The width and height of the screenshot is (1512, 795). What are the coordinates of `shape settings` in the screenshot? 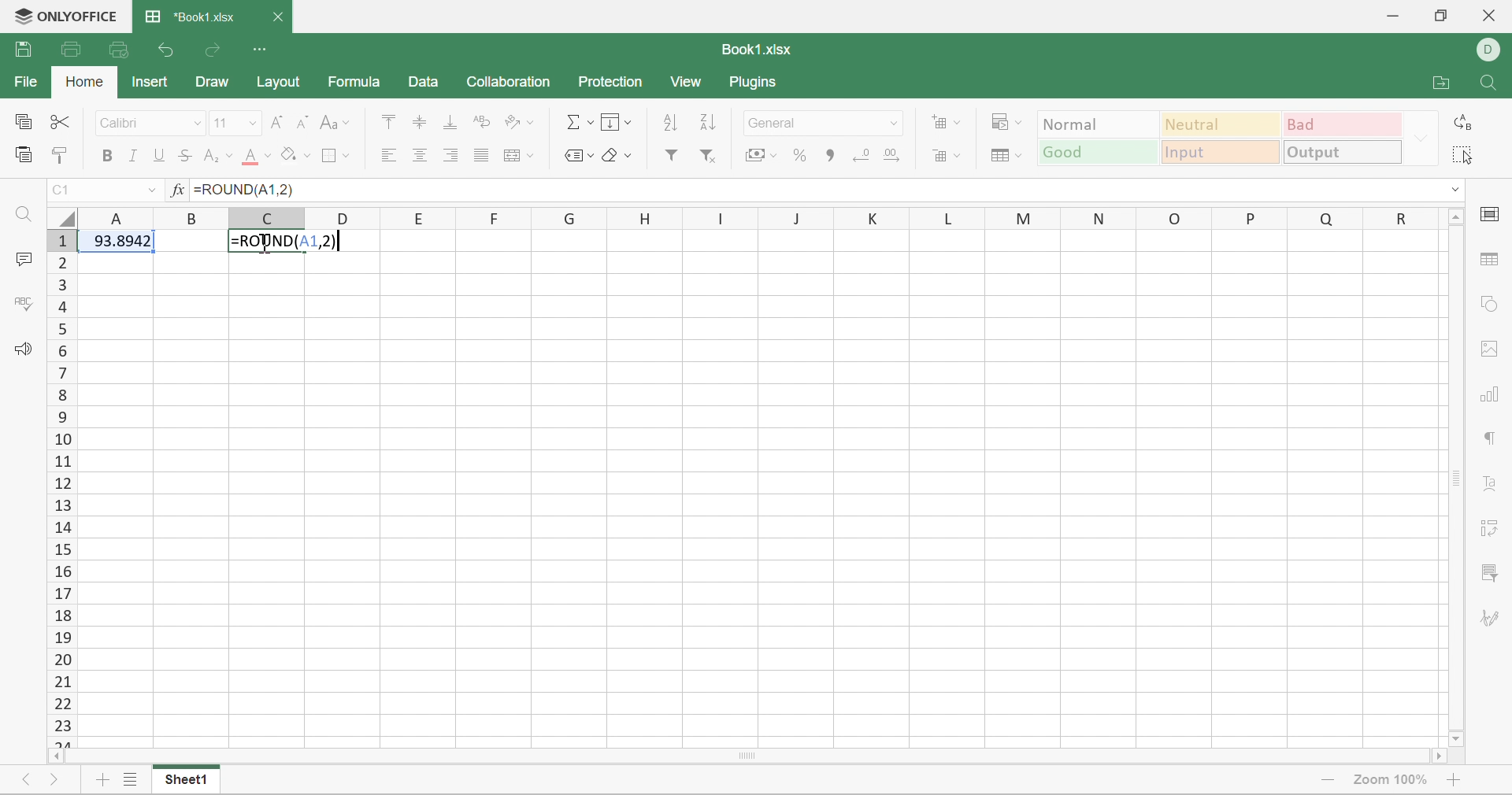 It's located at (1489, 306).